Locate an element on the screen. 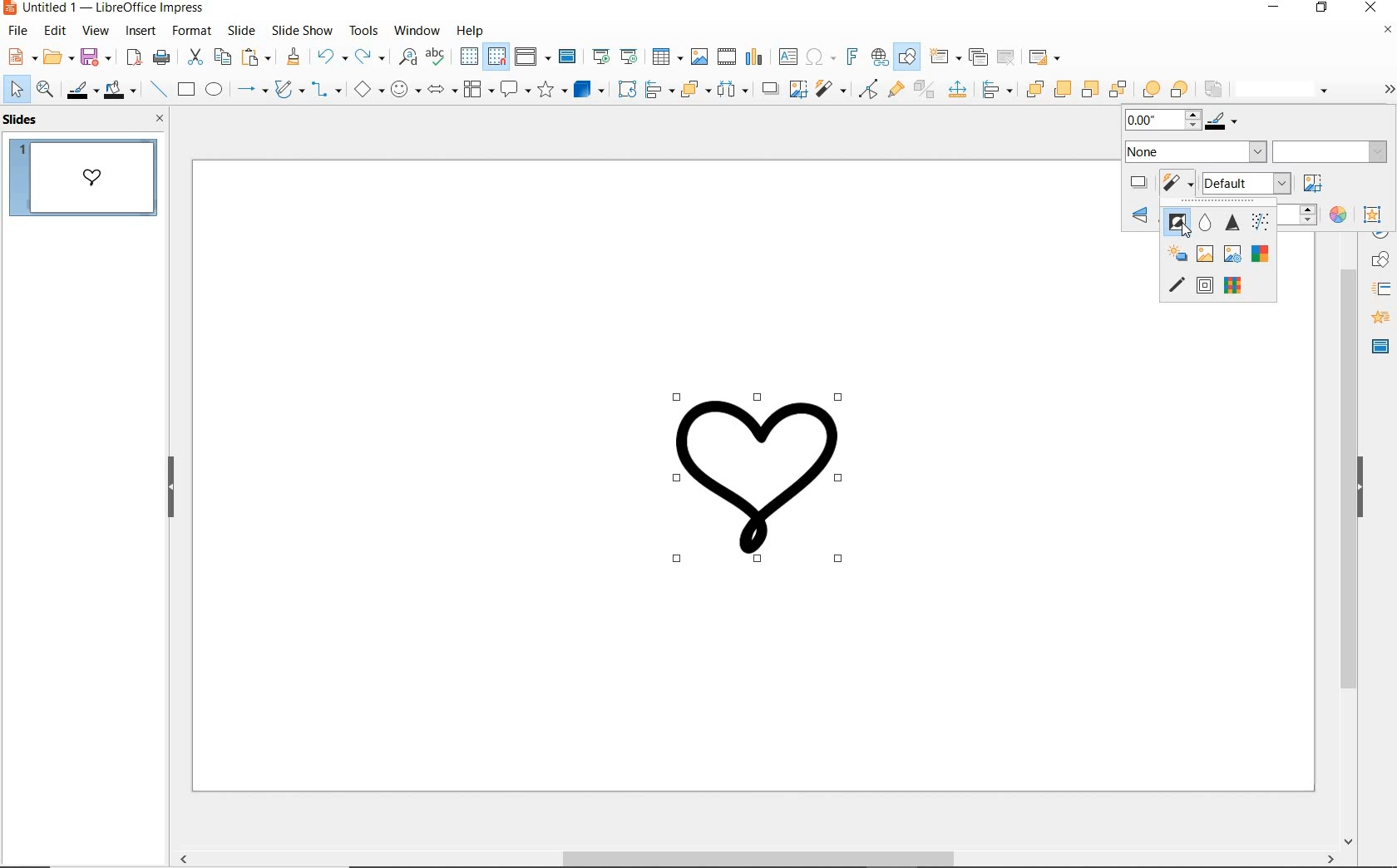 The height and width of the screenshot is (868, 1397). relief is located at coordinates (1204, 286).